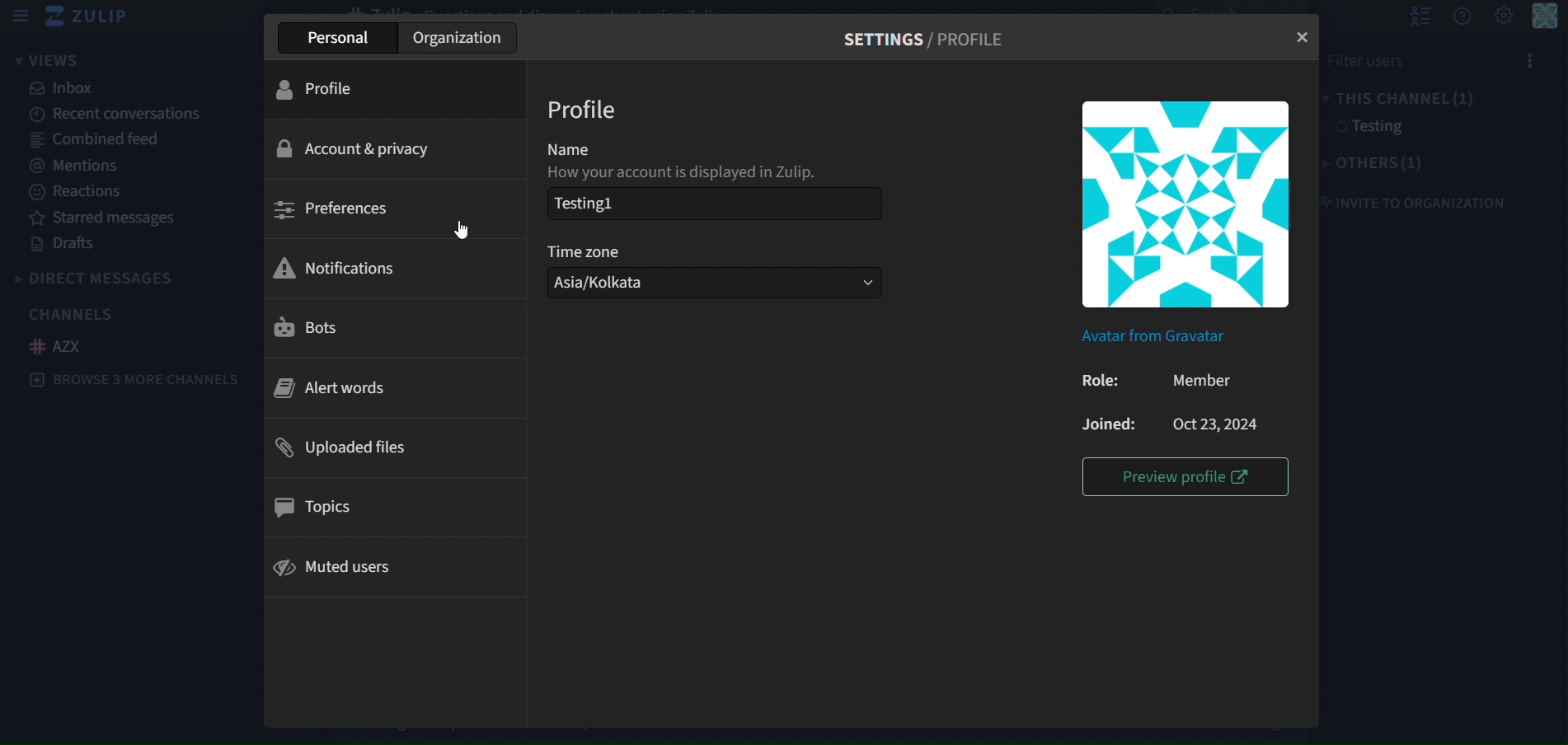 This screenshot has width=1568, height=745. I want to click on testing1, so click(713, 202).